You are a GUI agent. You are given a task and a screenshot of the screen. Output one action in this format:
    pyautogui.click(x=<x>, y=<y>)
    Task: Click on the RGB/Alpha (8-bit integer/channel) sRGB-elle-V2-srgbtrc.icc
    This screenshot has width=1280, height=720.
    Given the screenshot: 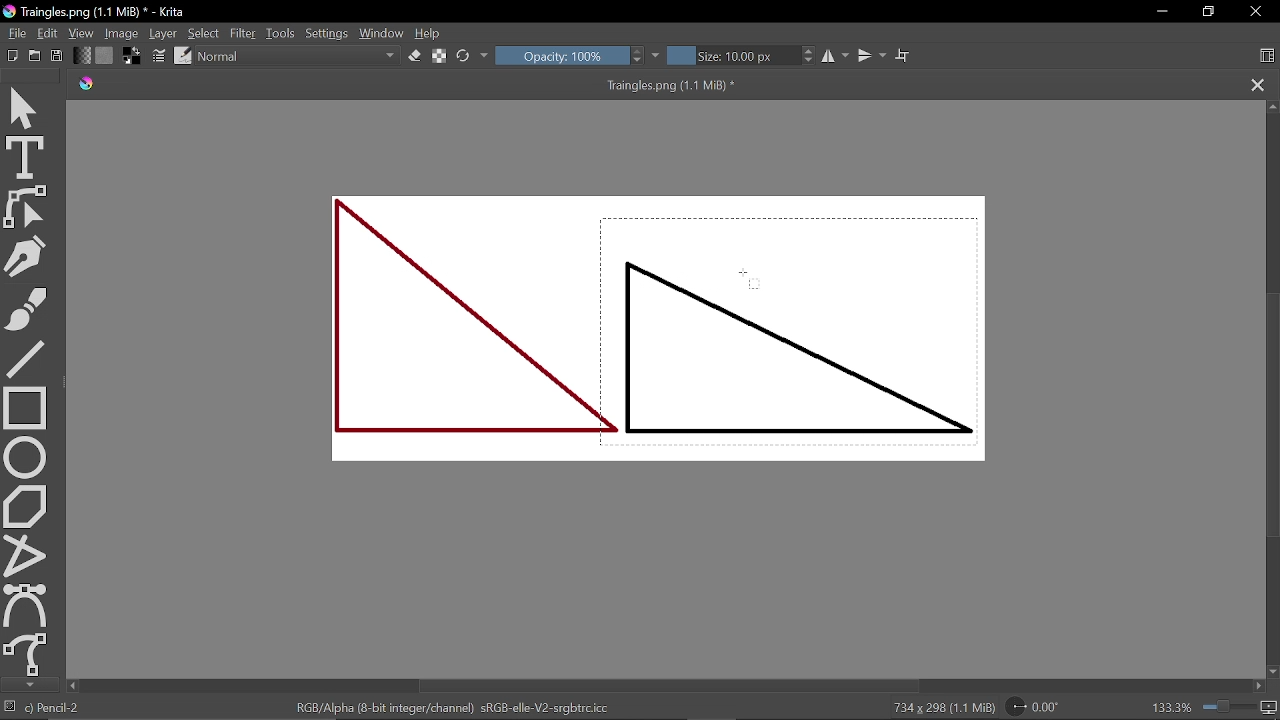 What is the action you would take?
    pyautogui.click(x=450, y=706)
    